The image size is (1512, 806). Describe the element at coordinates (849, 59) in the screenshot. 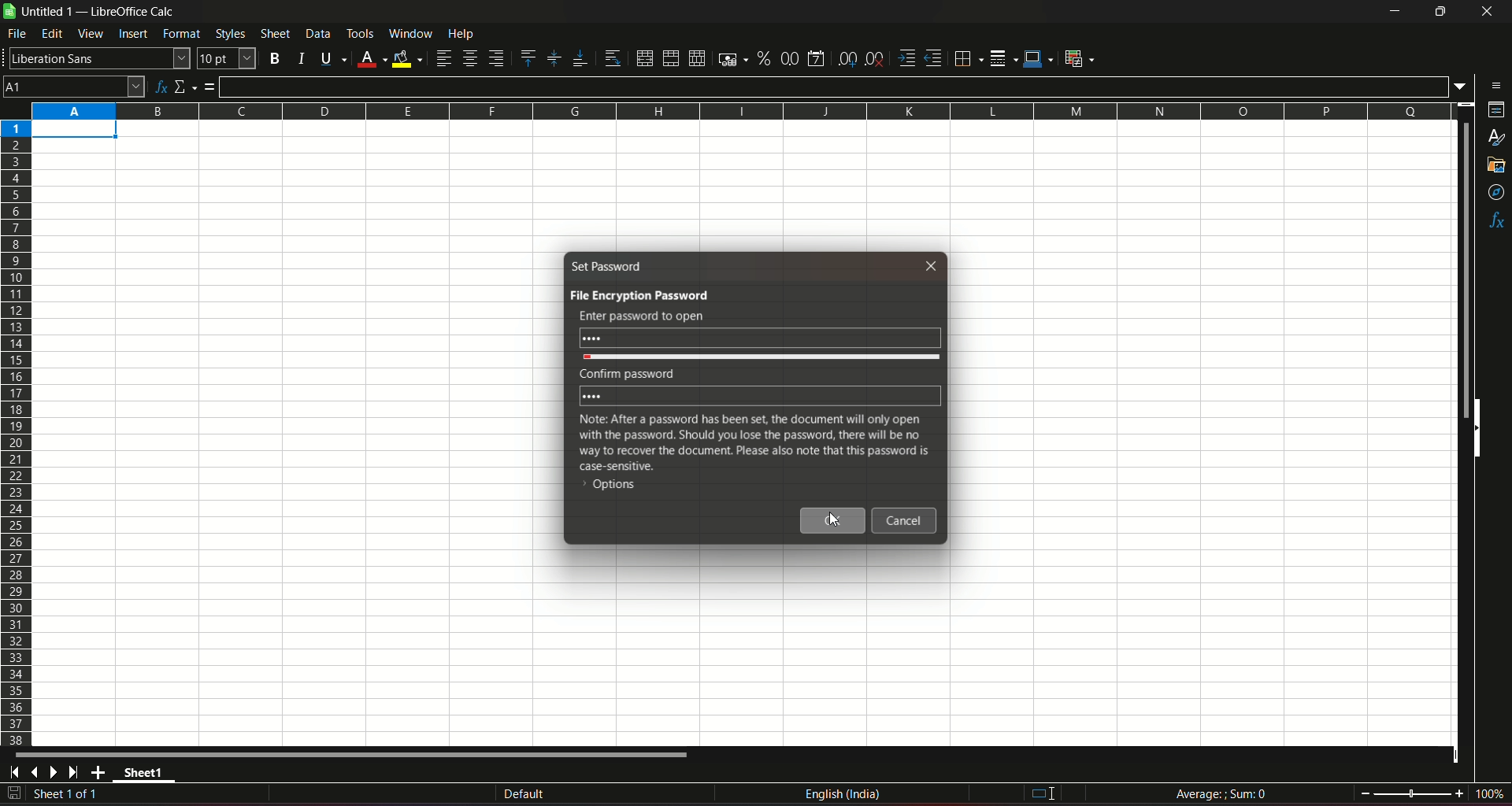

I see `add decimal point` at that location.